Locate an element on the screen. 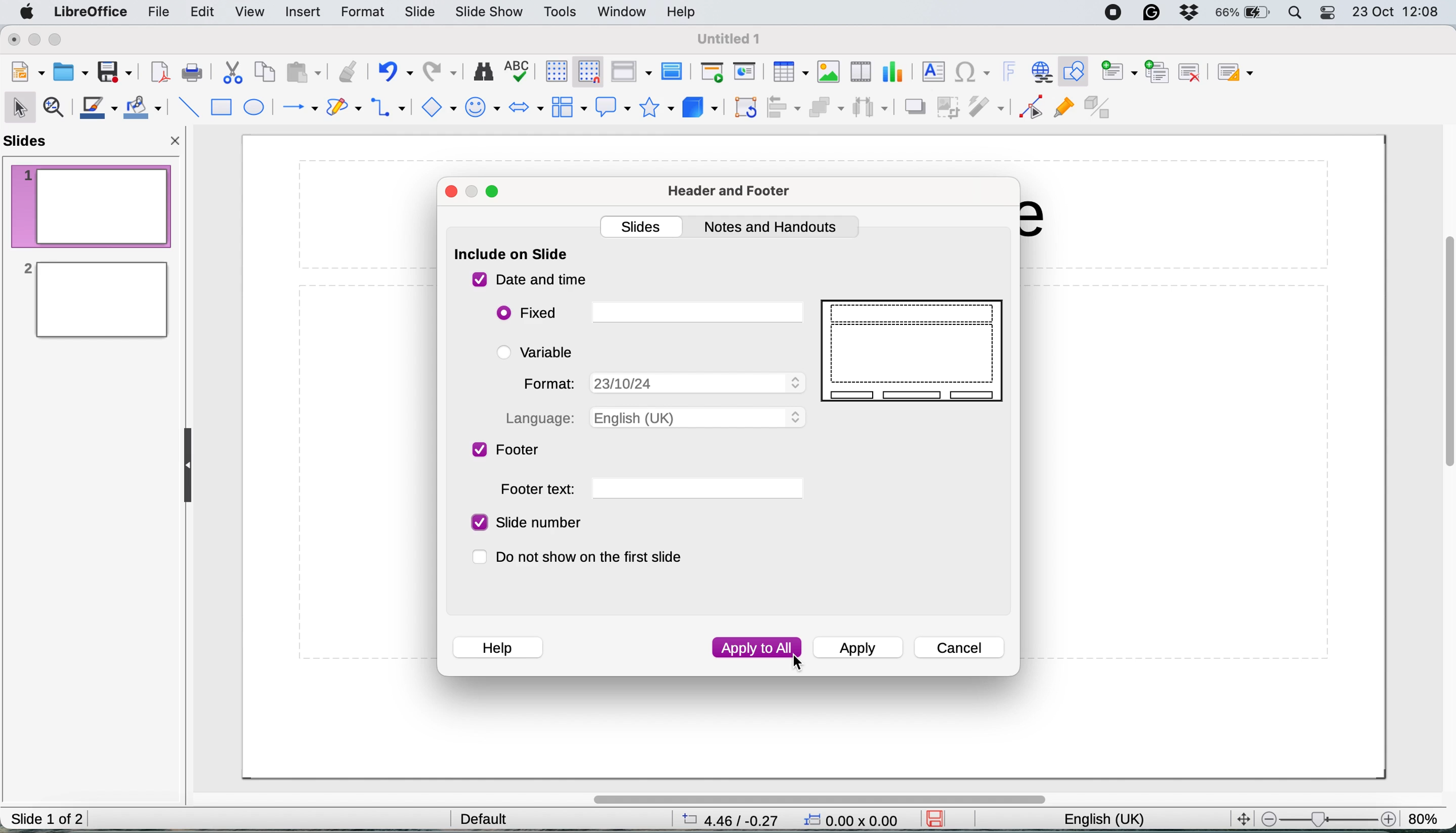  show gluepoint functions is located at coordinates (1063, 110).